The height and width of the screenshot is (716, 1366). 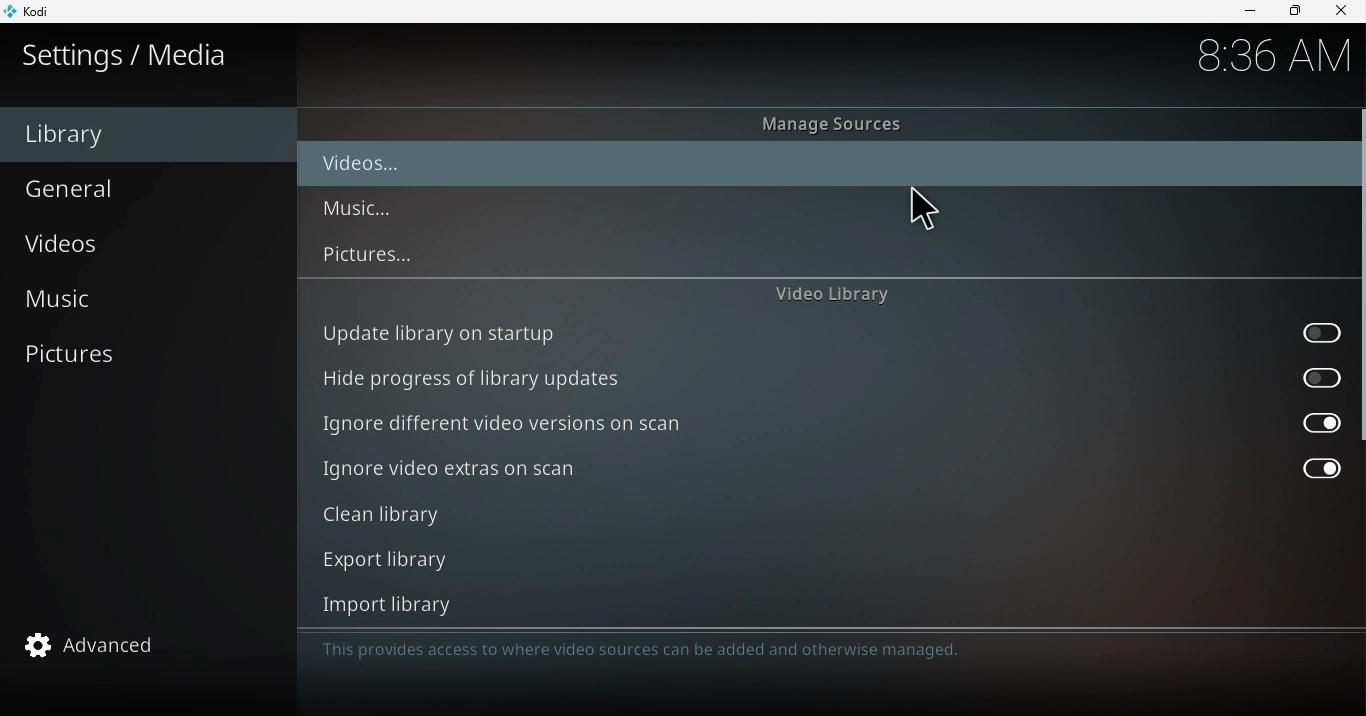 I want to click on Minimize, so click(x=1242, y=12).